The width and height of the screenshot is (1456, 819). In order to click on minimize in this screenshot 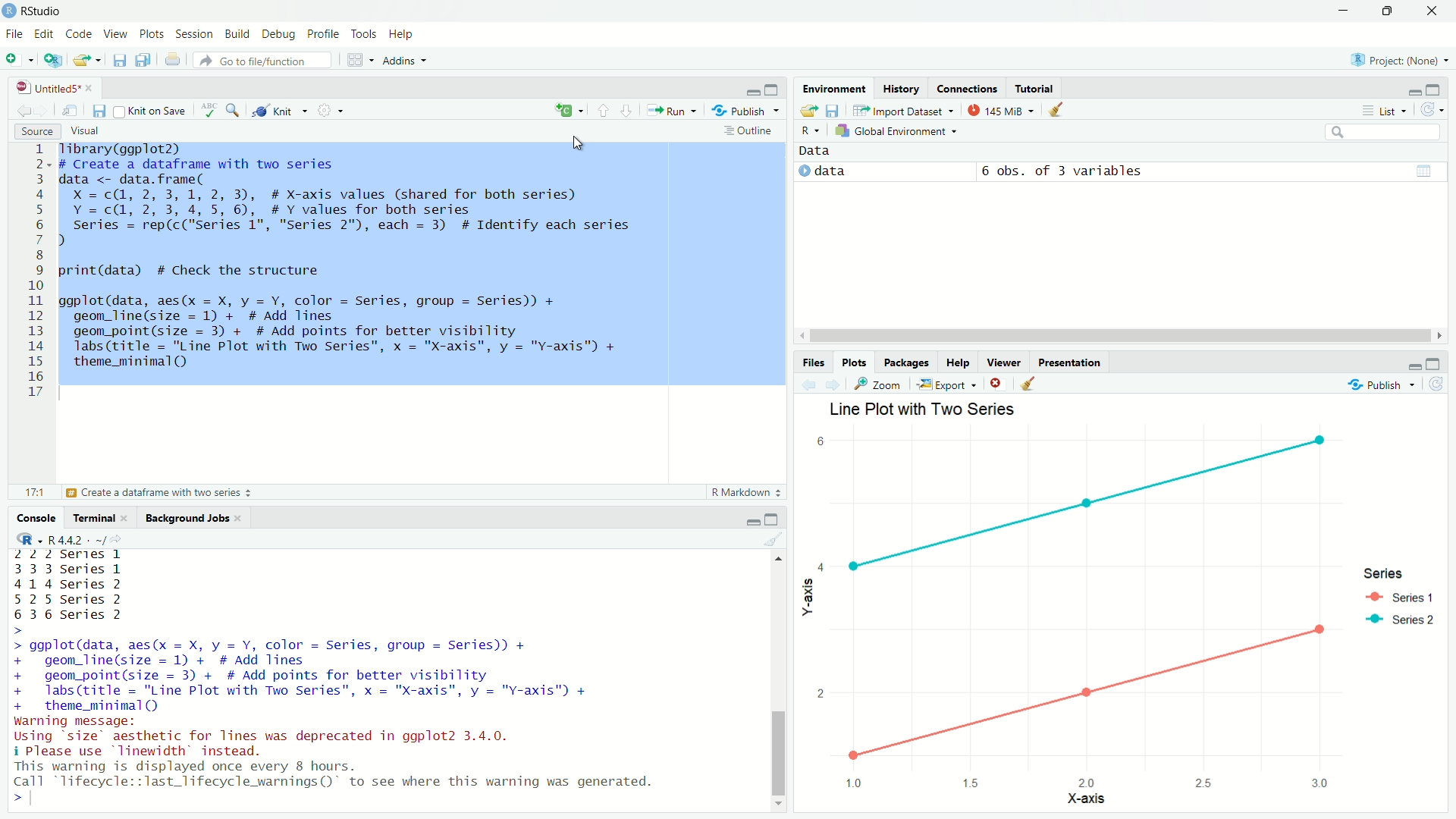, I will do `click(752, 519)`.